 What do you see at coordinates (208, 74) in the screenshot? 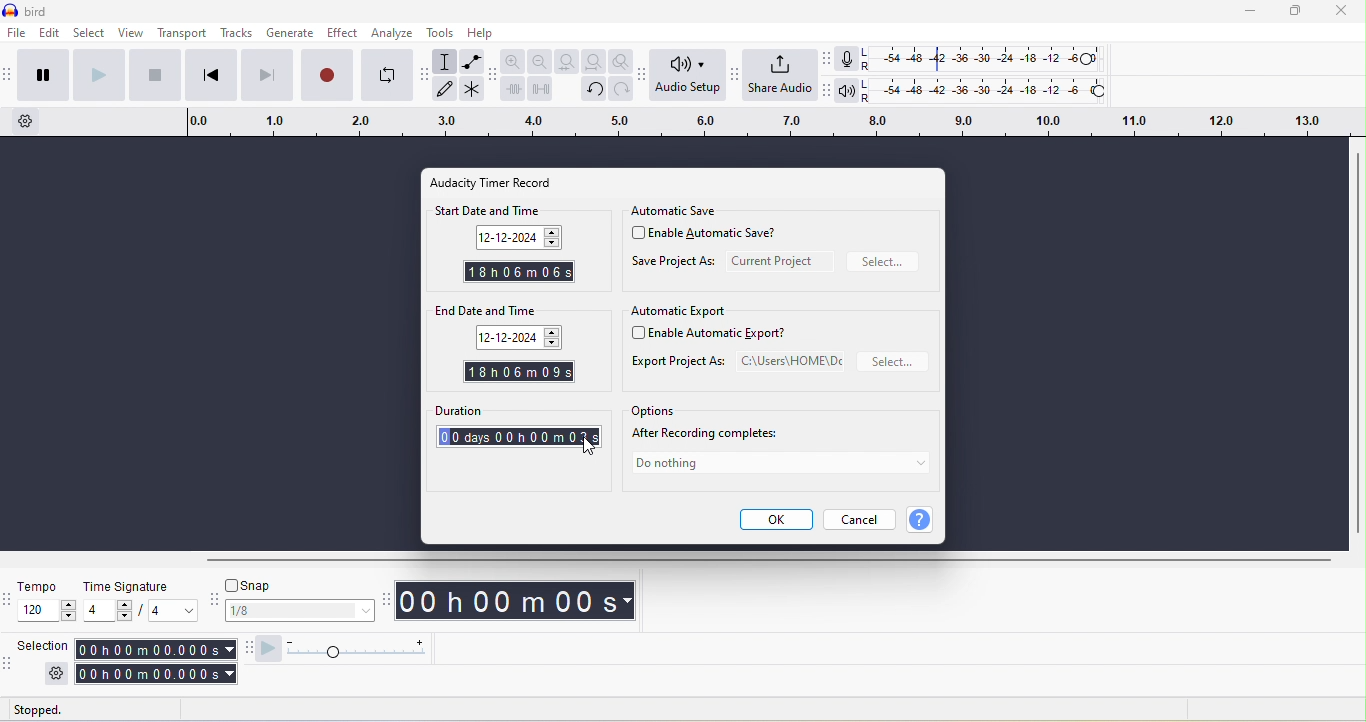
I see `skip to start` at bounding box center [208, 74].